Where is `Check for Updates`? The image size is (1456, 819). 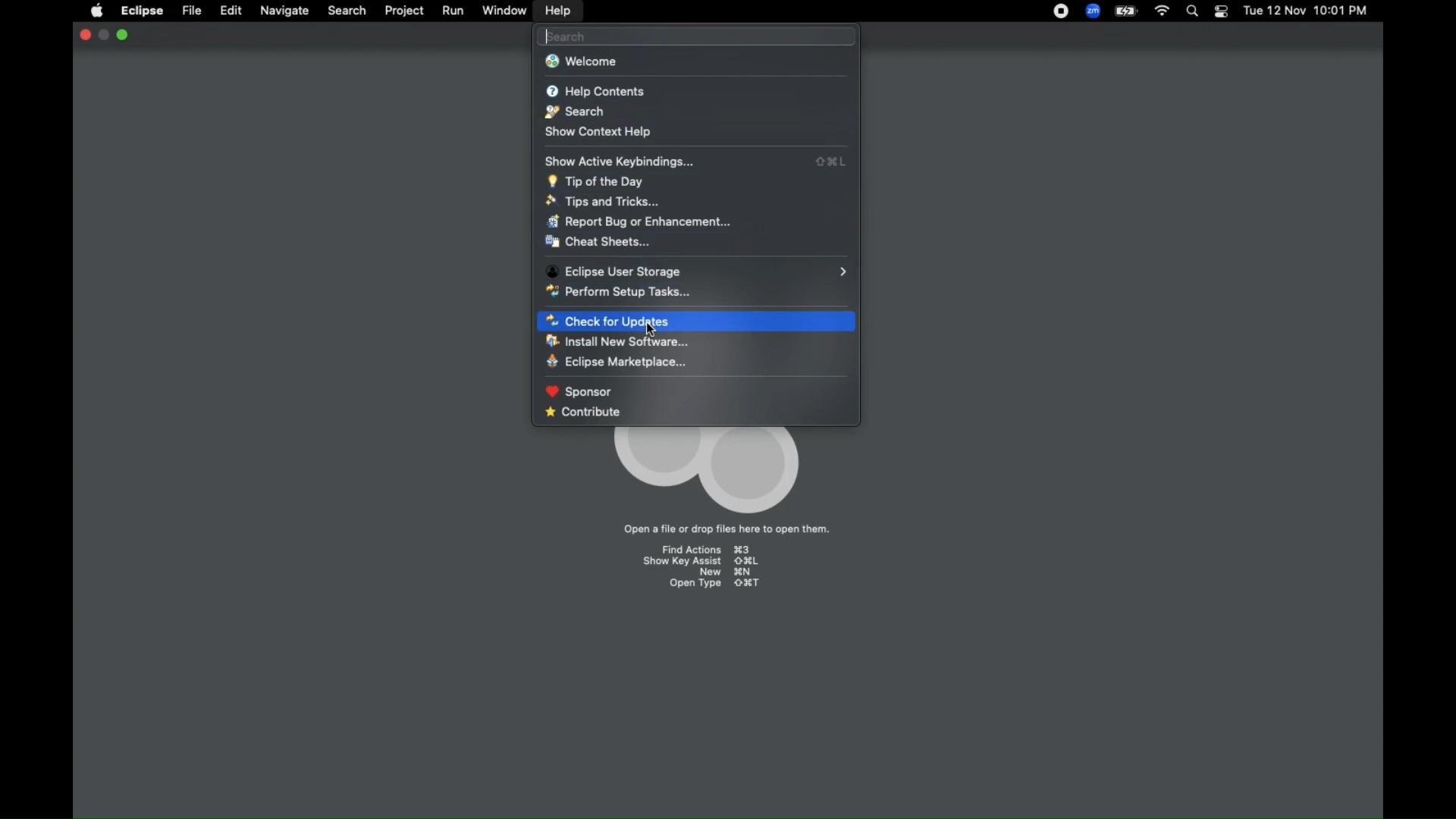 Check for Updates is located at coordinates (697, 322).